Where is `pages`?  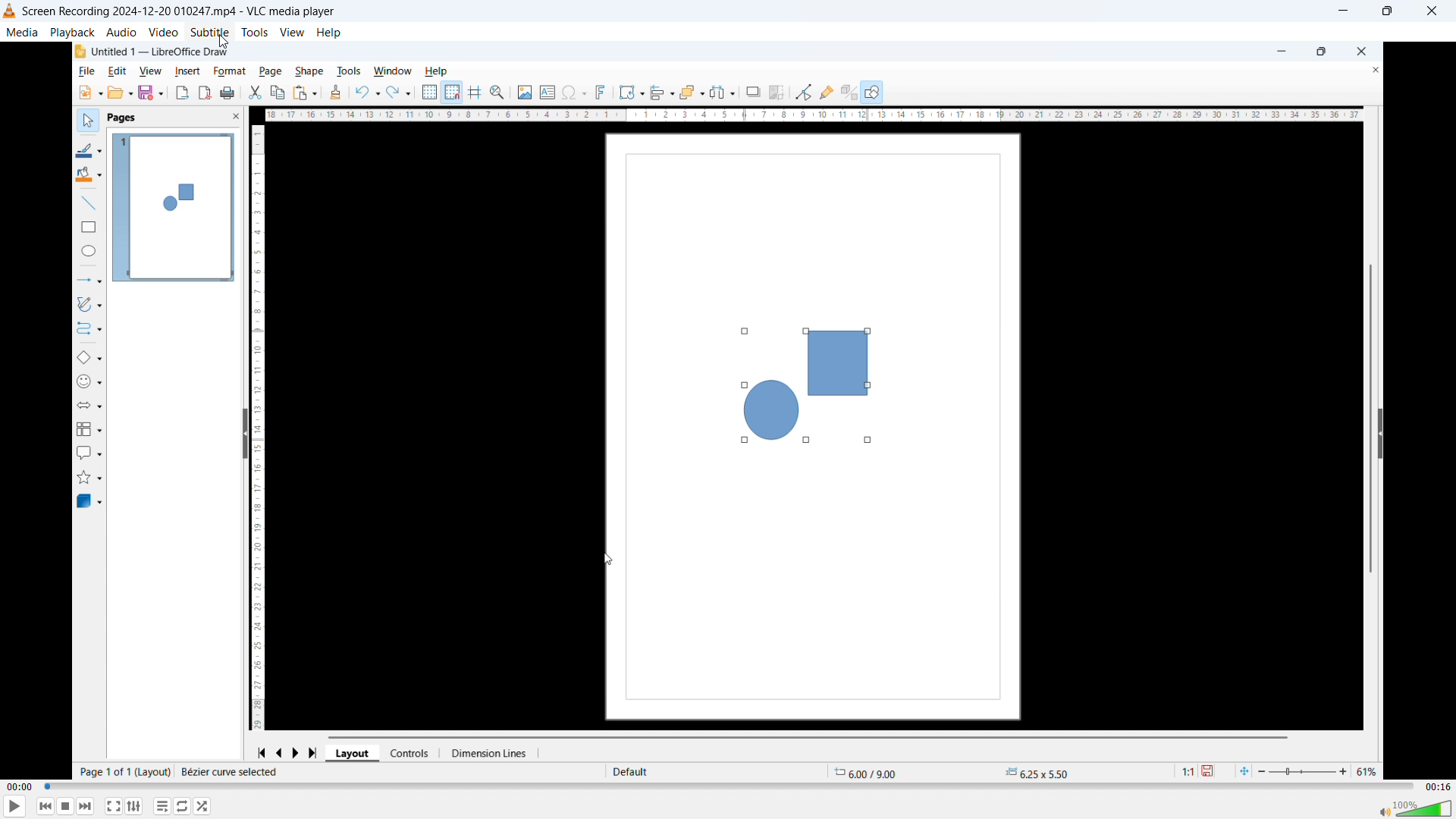
pages is located at coordinates (123, 119).